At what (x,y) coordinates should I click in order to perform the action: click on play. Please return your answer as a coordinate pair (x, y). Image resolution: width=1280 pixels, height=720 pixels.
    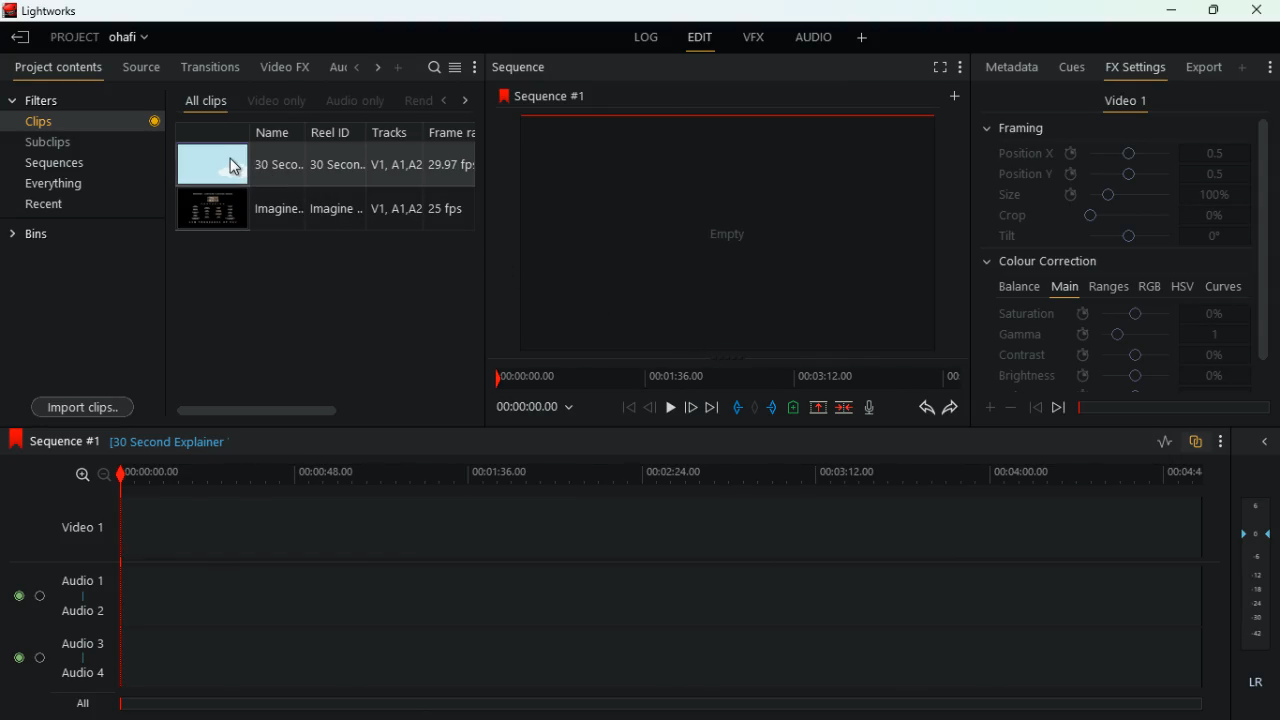
    Looking at the image, I should click on (667, 407).